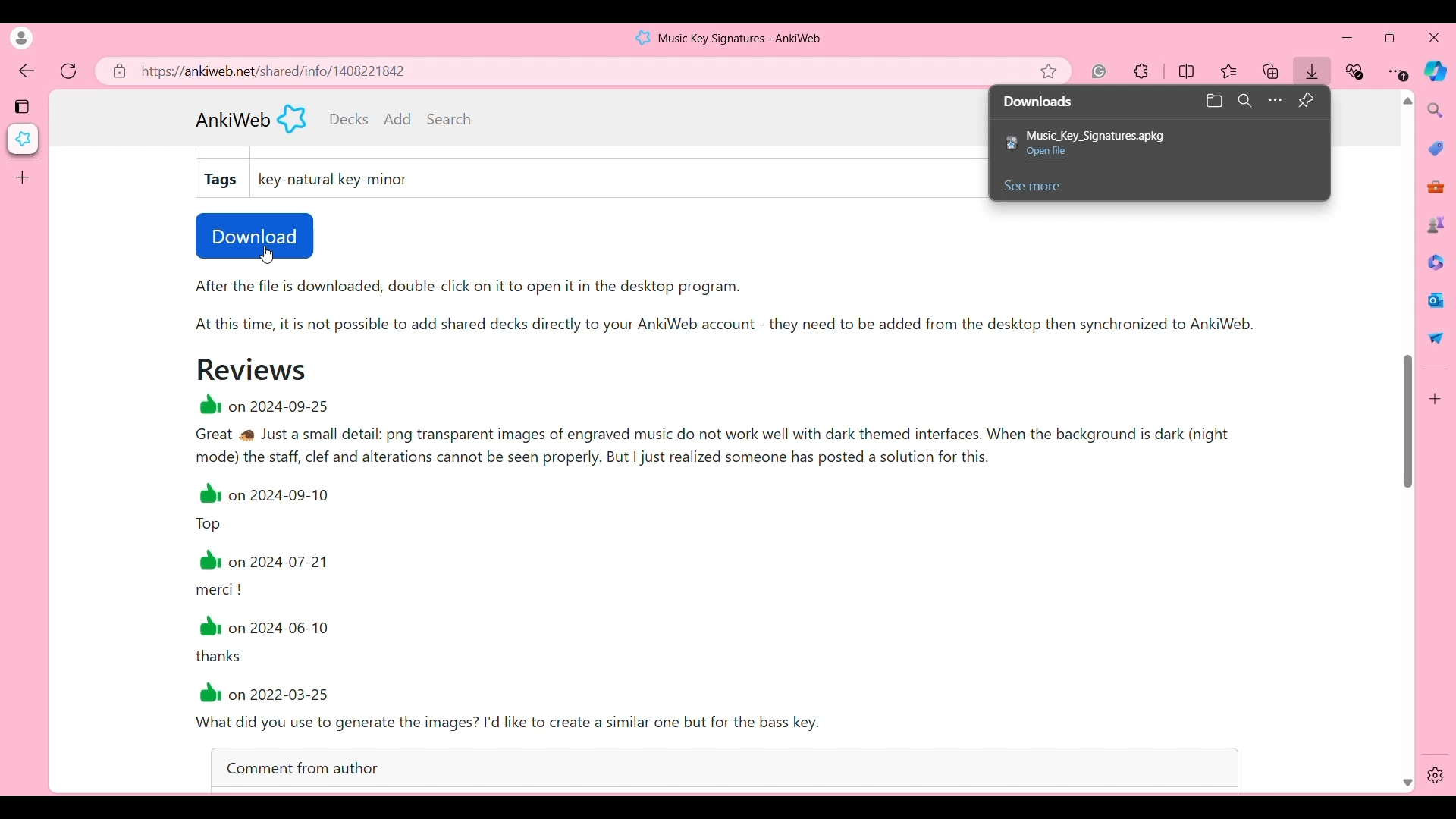 This screenshot has width=1456, height=819. I want to click on Browser essentials, so click(1356, 71).